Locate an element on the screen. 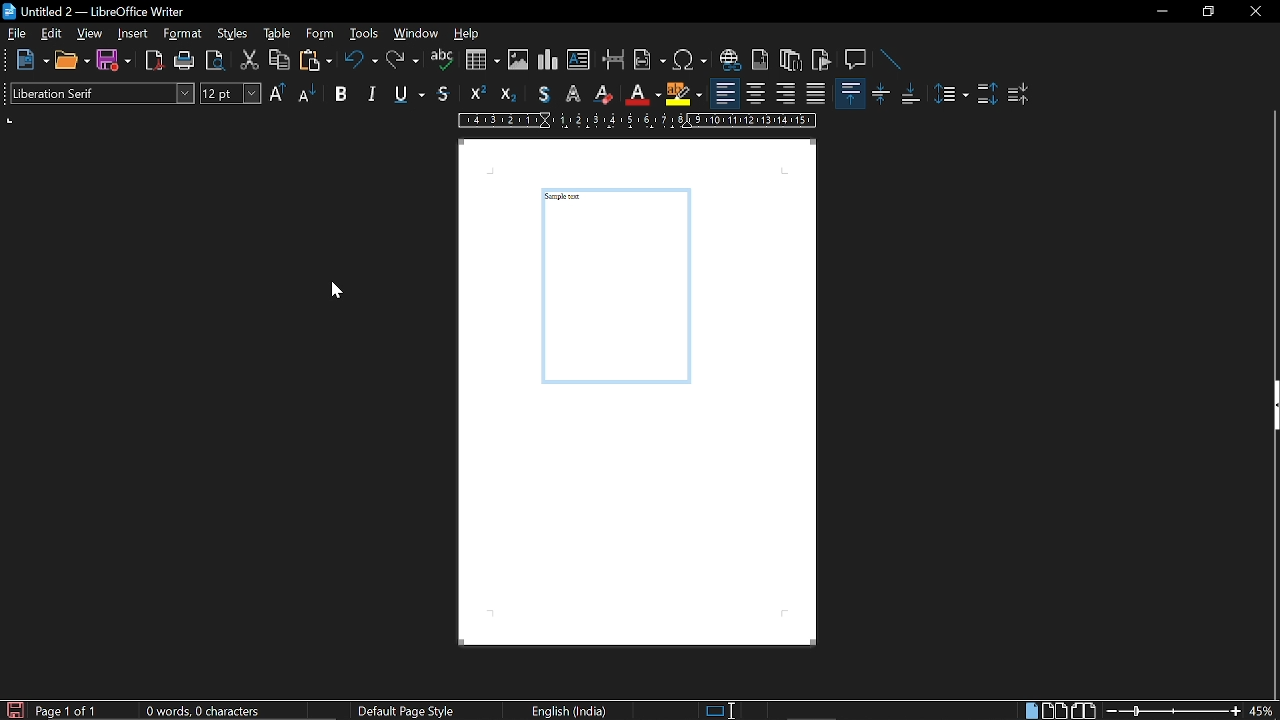 The width and height of the screenshot is (1280, 720). tools is located at coordinates (362, 35).